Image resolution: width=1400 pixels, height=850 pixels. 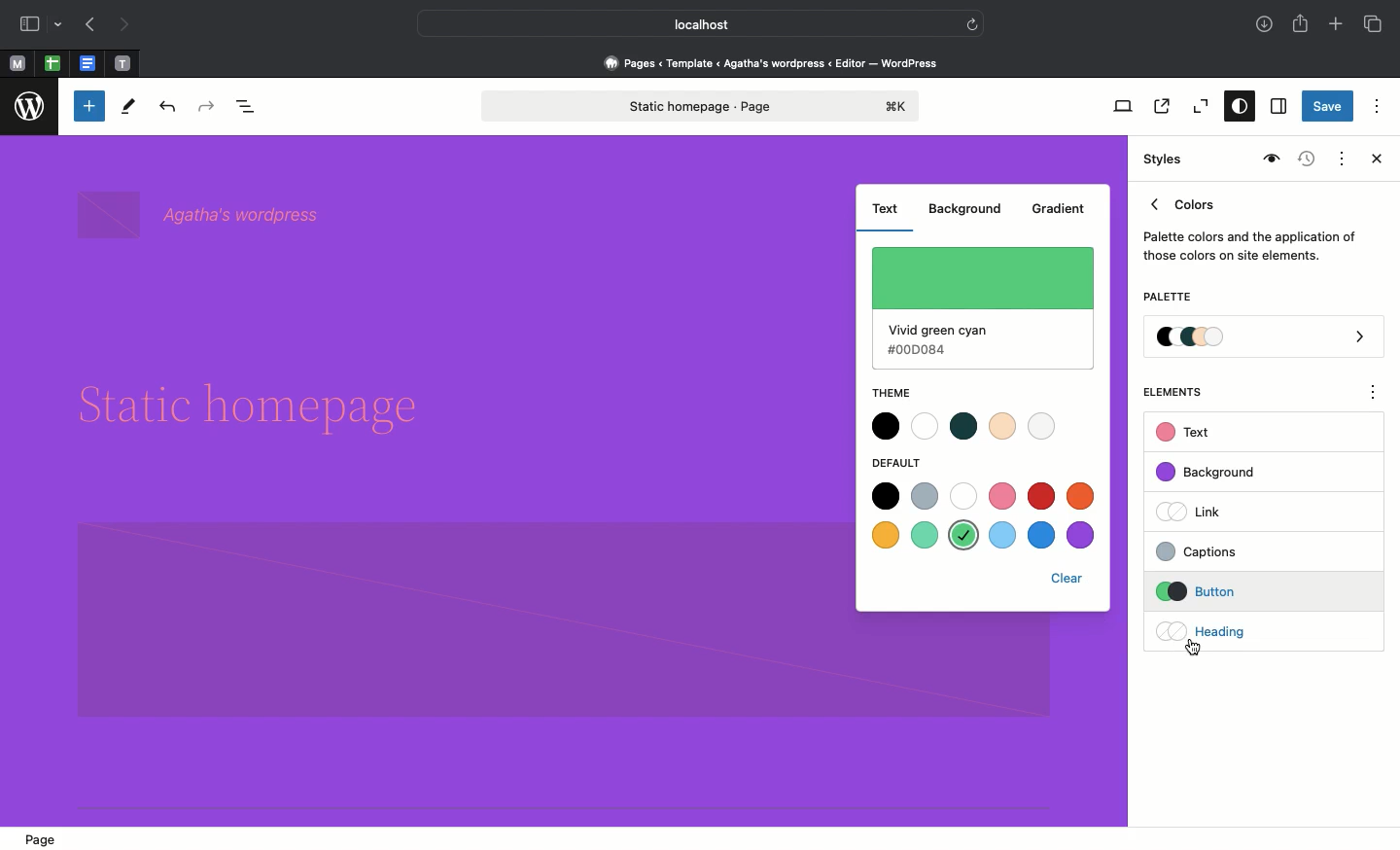 I want to click on Actions, so click(x=1340, y=157).